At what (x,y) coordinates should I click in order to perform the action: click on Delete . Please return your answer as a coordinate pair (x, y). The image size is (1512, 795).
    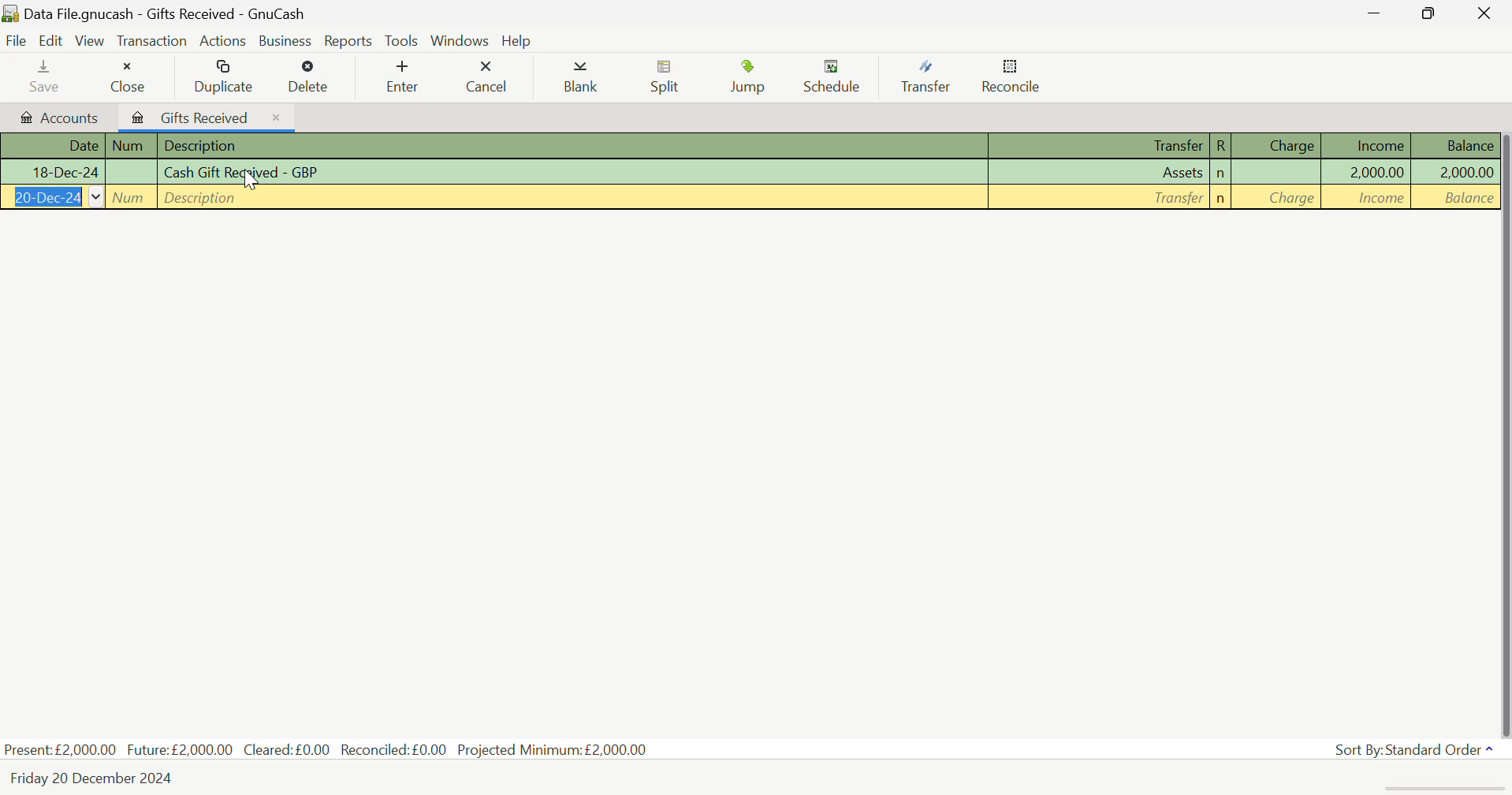
    Looking at the image, I should click on (310, 77).